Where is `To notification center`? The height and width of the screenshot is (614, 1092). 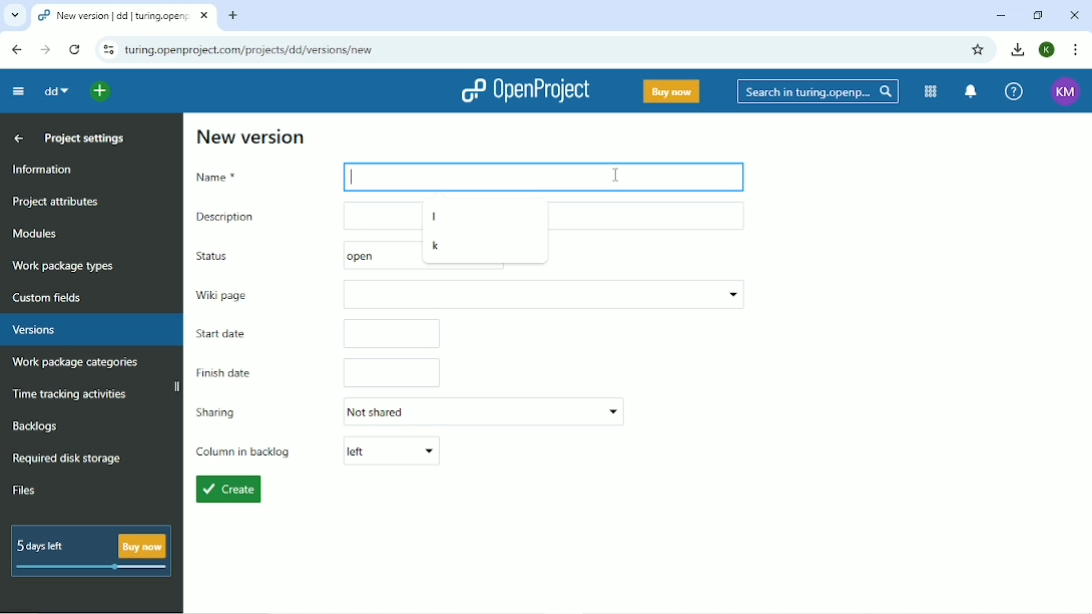 To notification center is located at coordinates (971, 91).